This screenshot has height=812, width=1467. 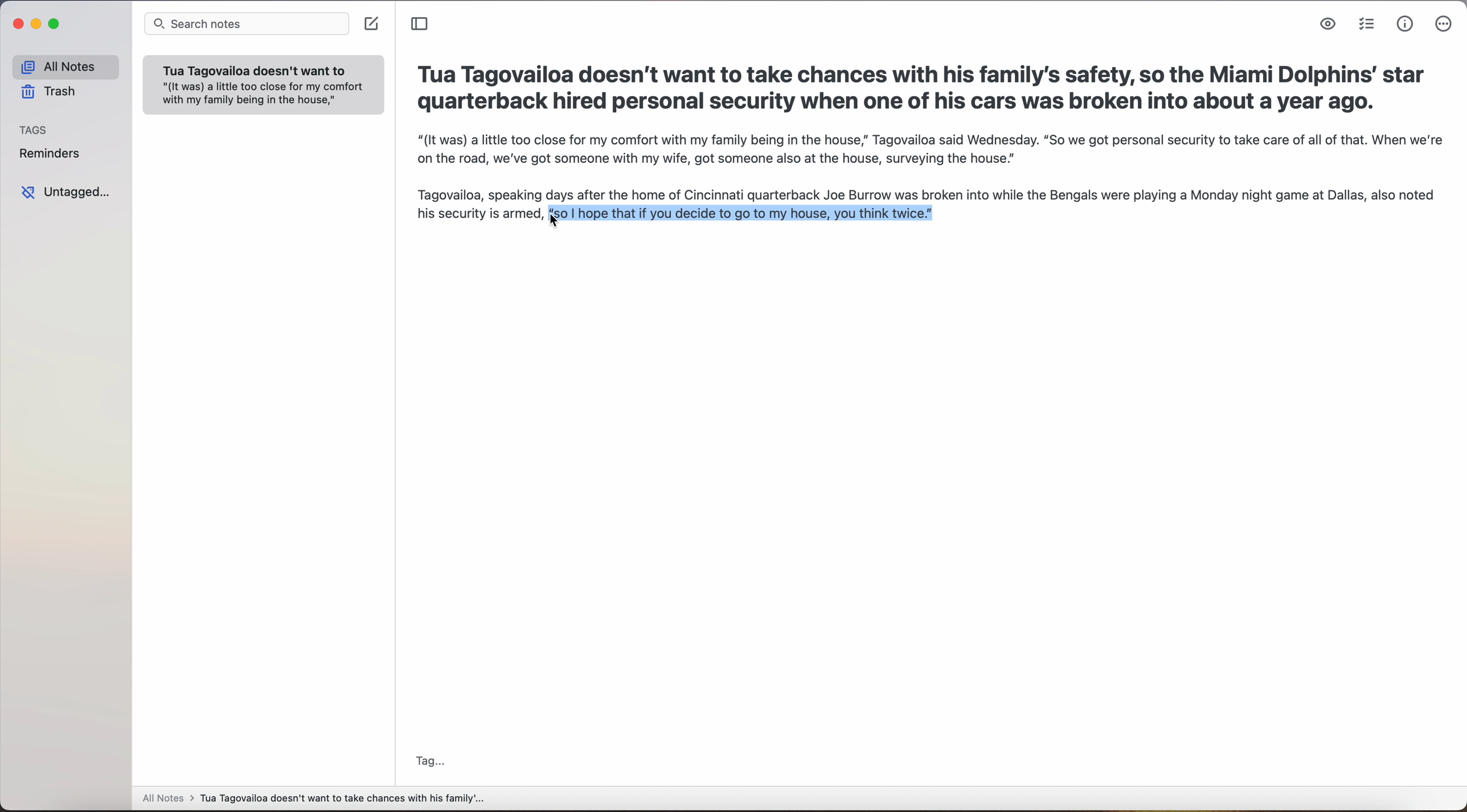 What do you see at coordinates (58, 24) in the screenshot?
I see `maximize` at bounding box center [58, 24].